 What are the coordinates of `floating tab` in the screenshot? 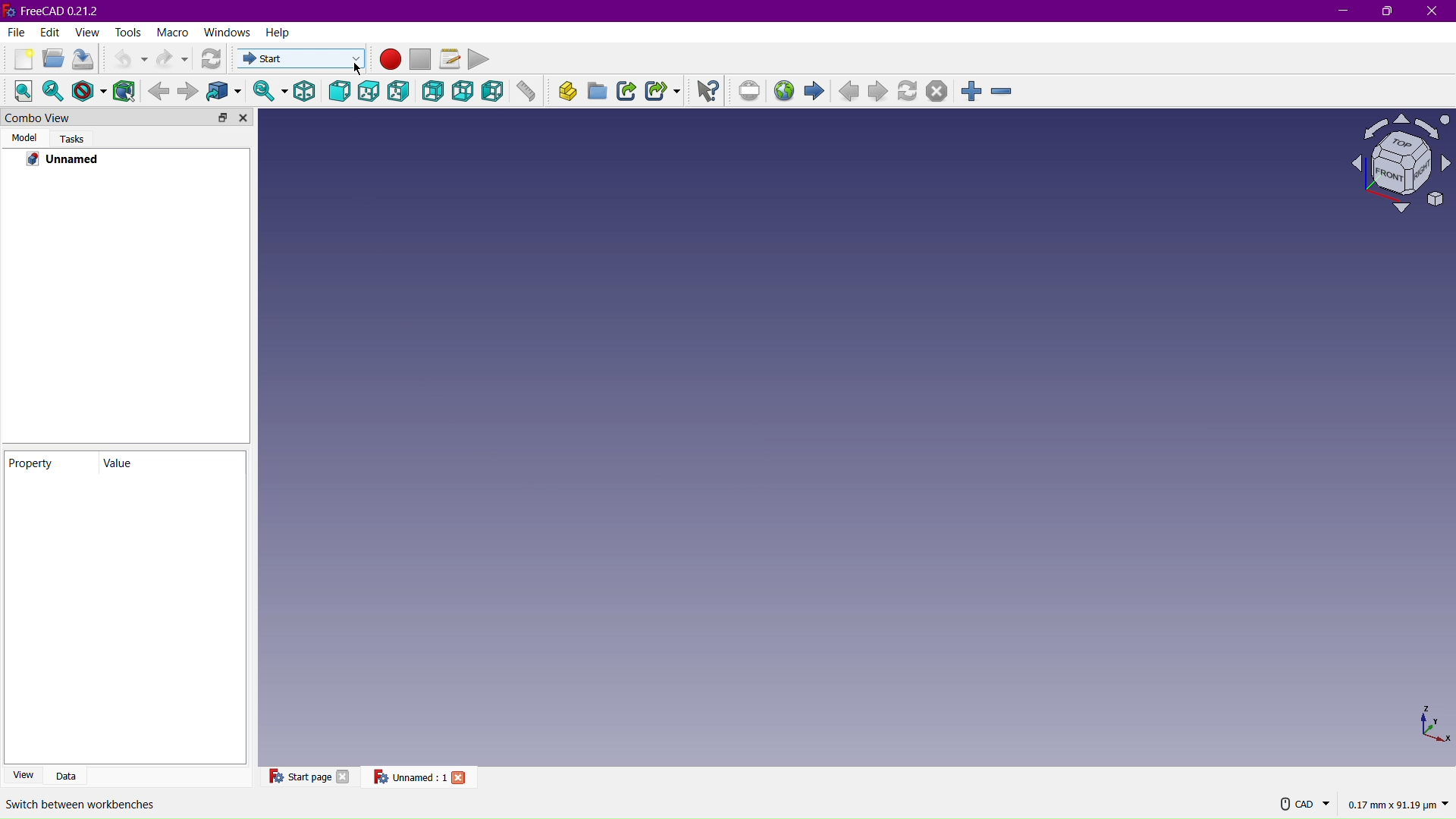 It's located at (223, 117).